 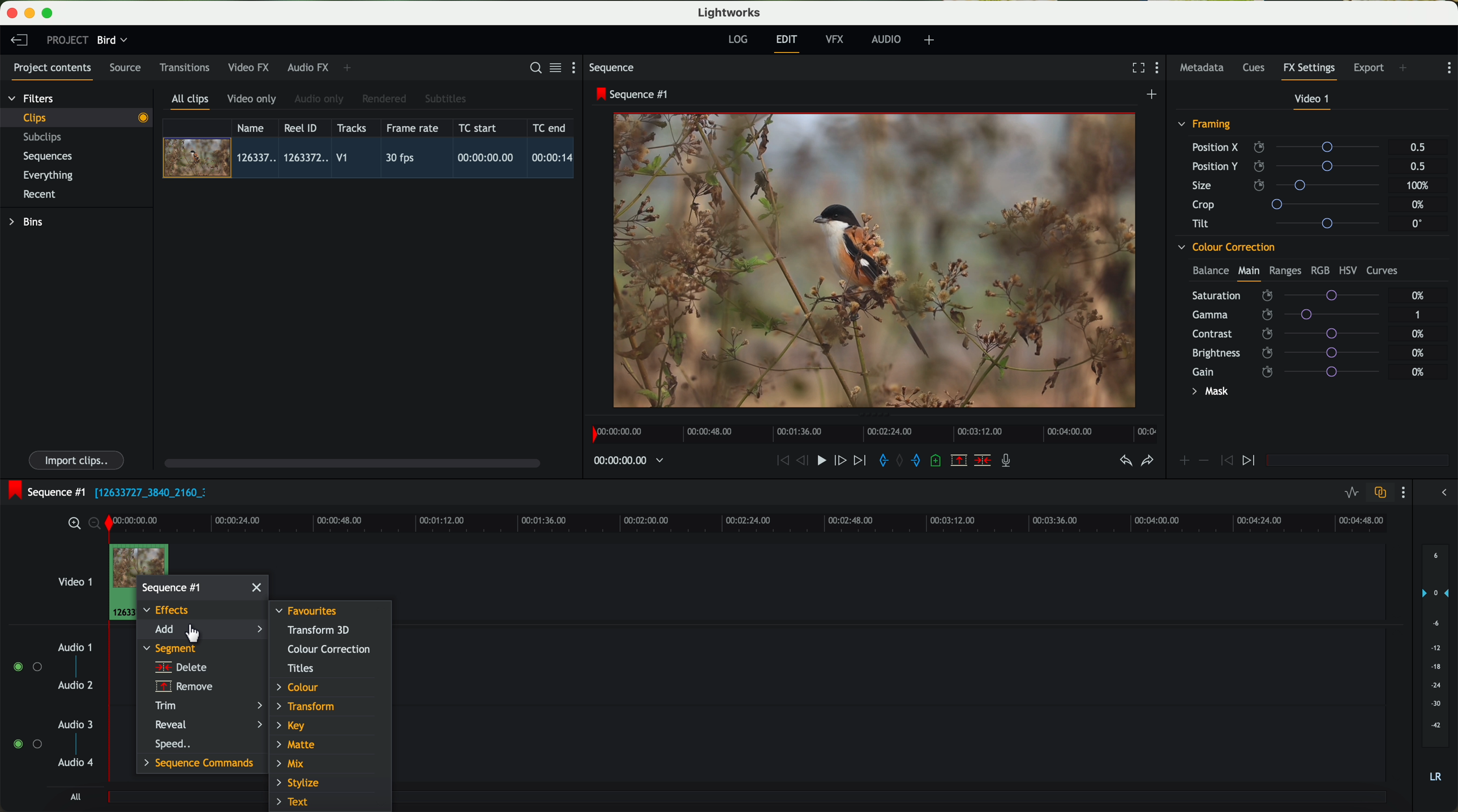 I want to click on contrast, so click(x=1293, y=334).